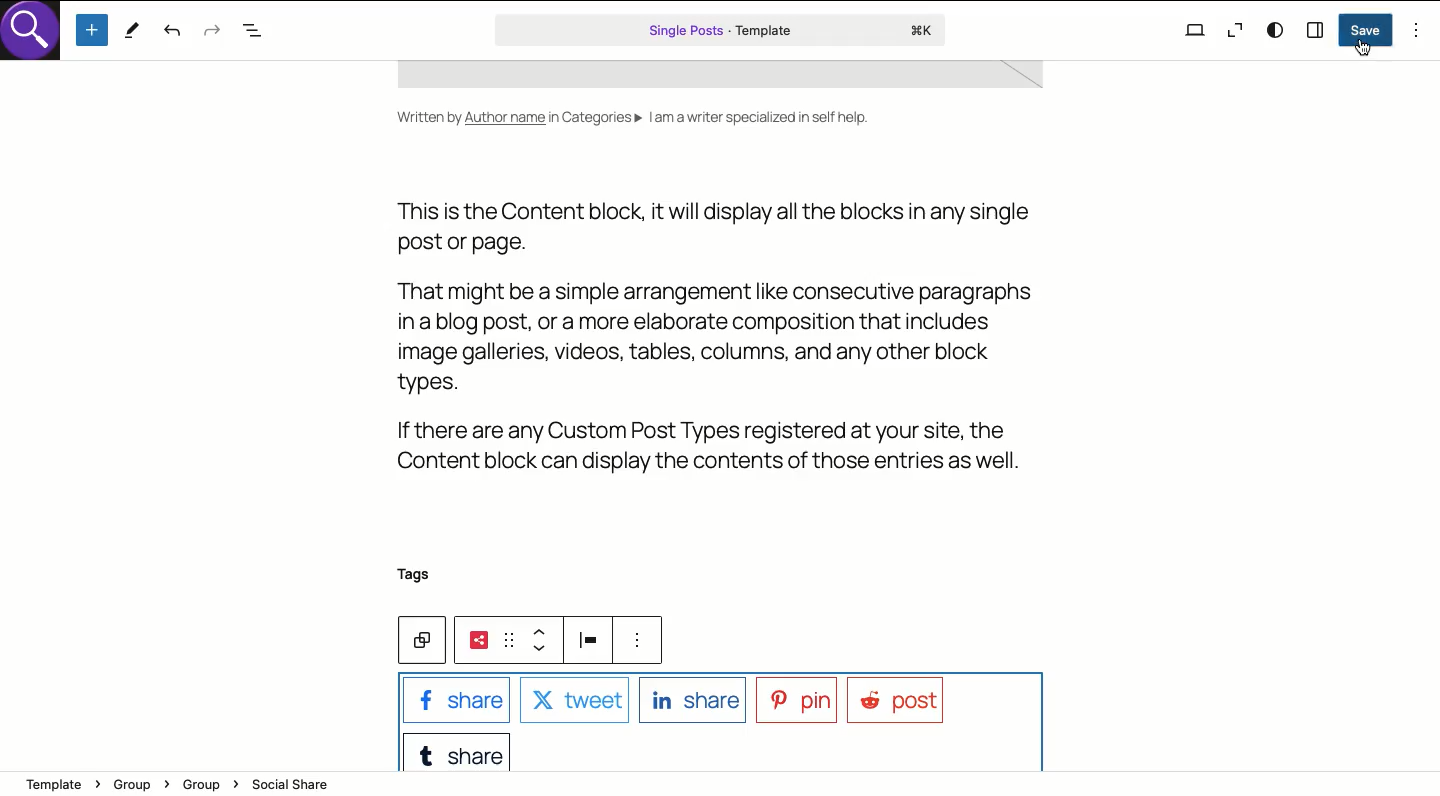 The height and width of the screenshot is (796, 1440). I want to click on Move up down, so click(541, 642).